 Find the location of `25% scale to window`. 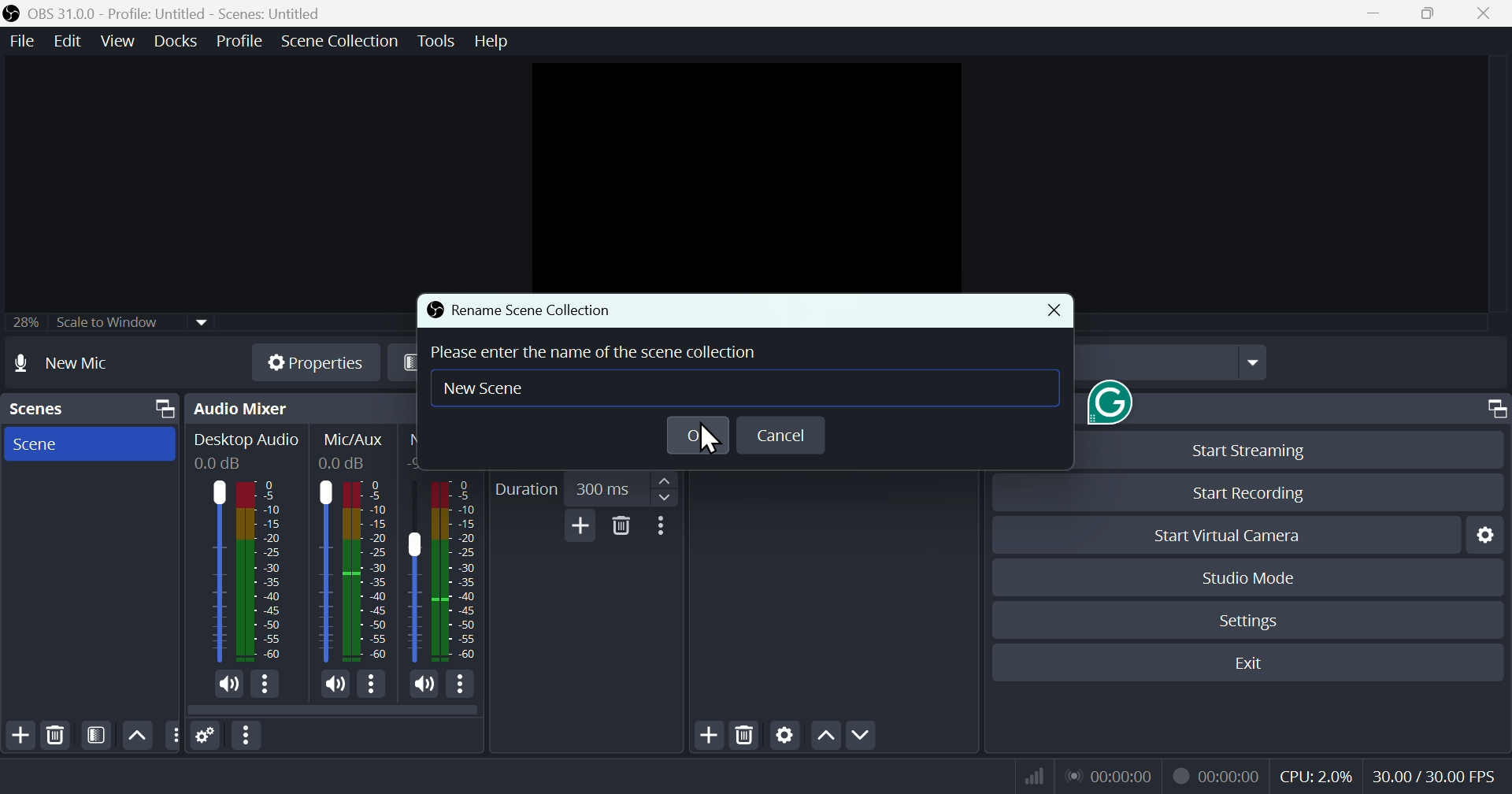

25% scale to window is located at coordinates (104, 325).